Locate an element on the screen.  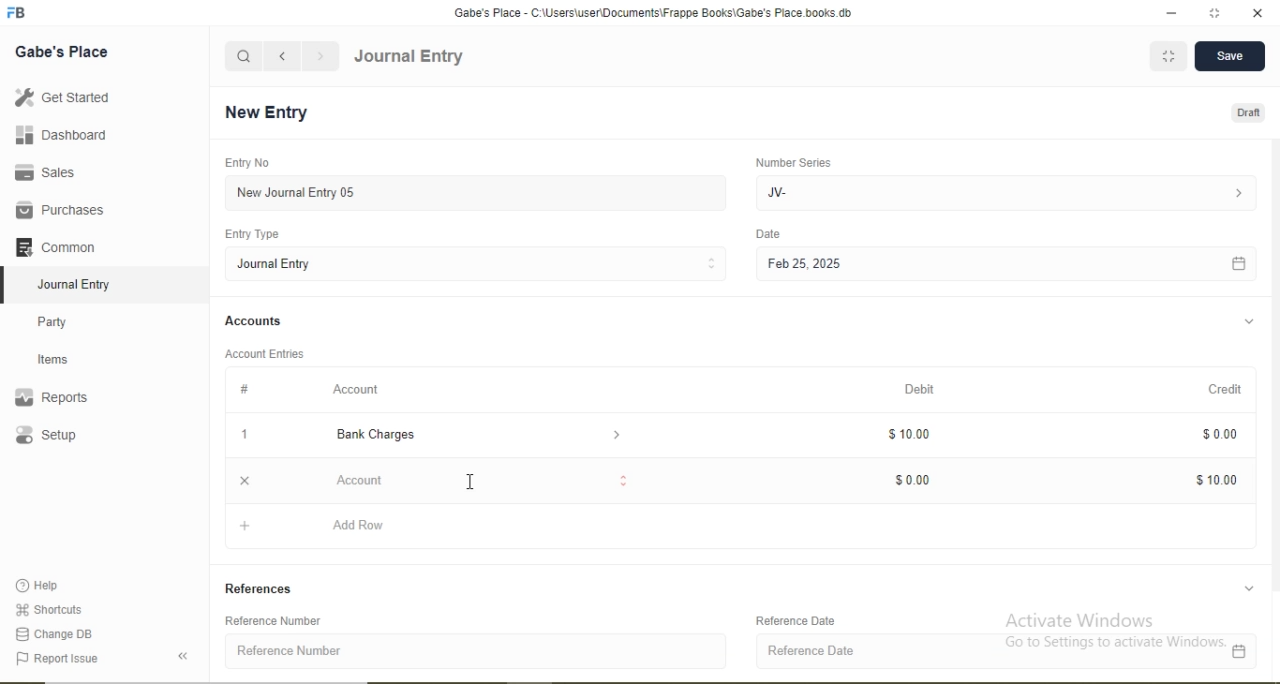
JV- is located at coordinates (1003, 191).